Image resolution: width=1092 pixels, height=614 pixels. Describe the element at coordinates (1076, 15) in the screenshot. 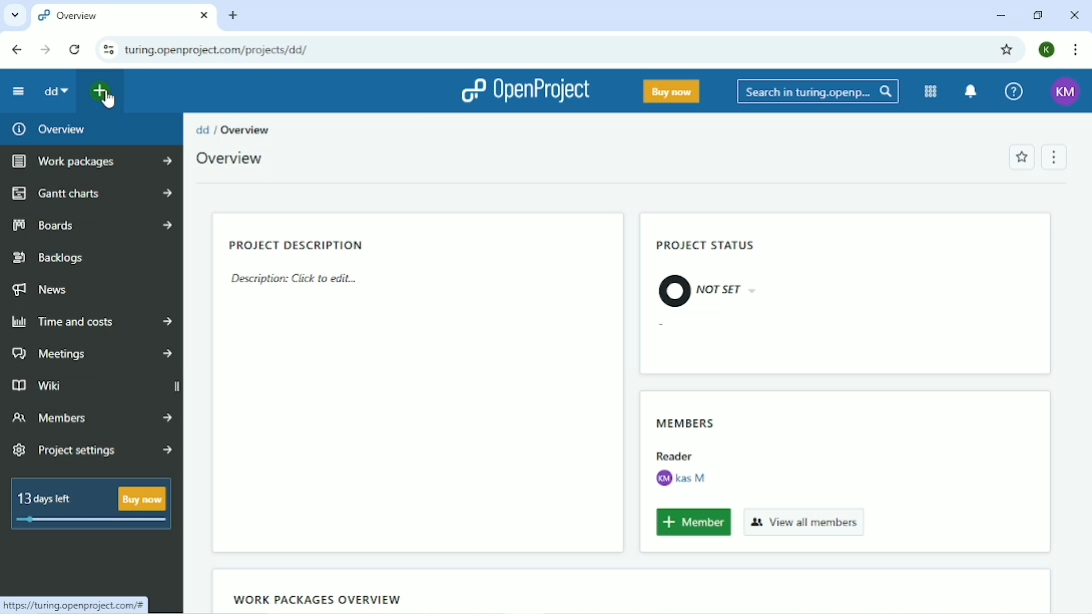

I see `Close` at that location.